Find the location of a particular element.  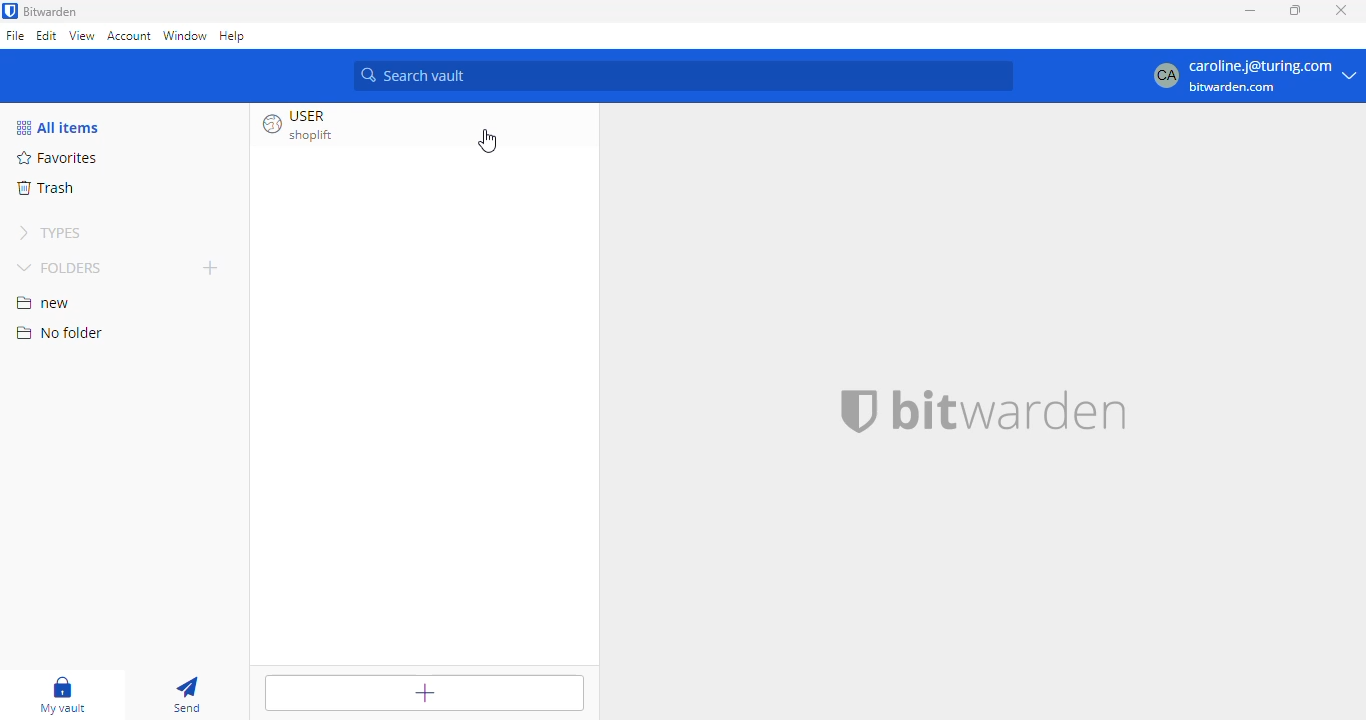

search vault is located at coordinates (685, 77).